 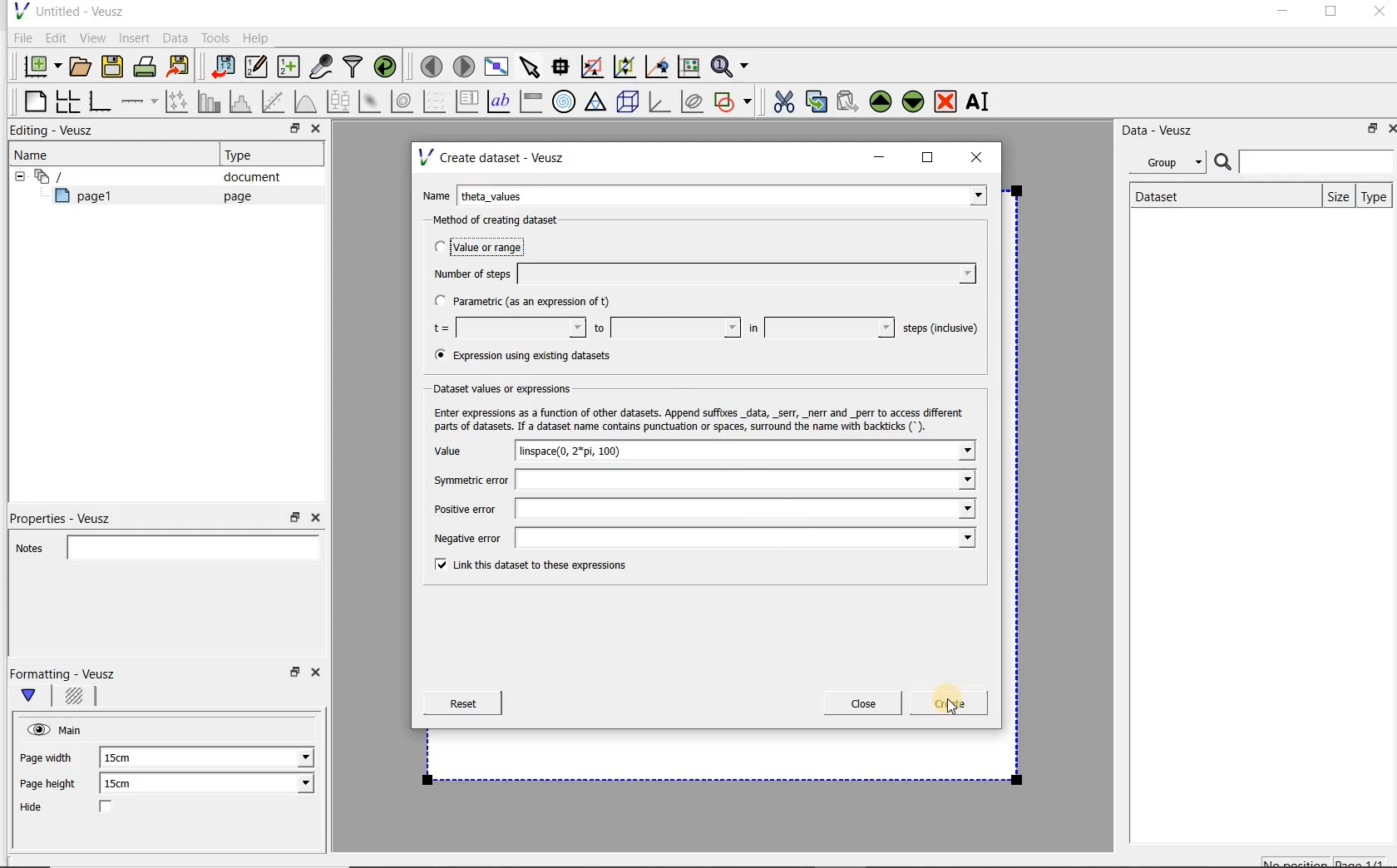 What do you see at coordinates (817, 101) in the screenshot?
I see `copy the selected widget` at bounding box center [817, 101].